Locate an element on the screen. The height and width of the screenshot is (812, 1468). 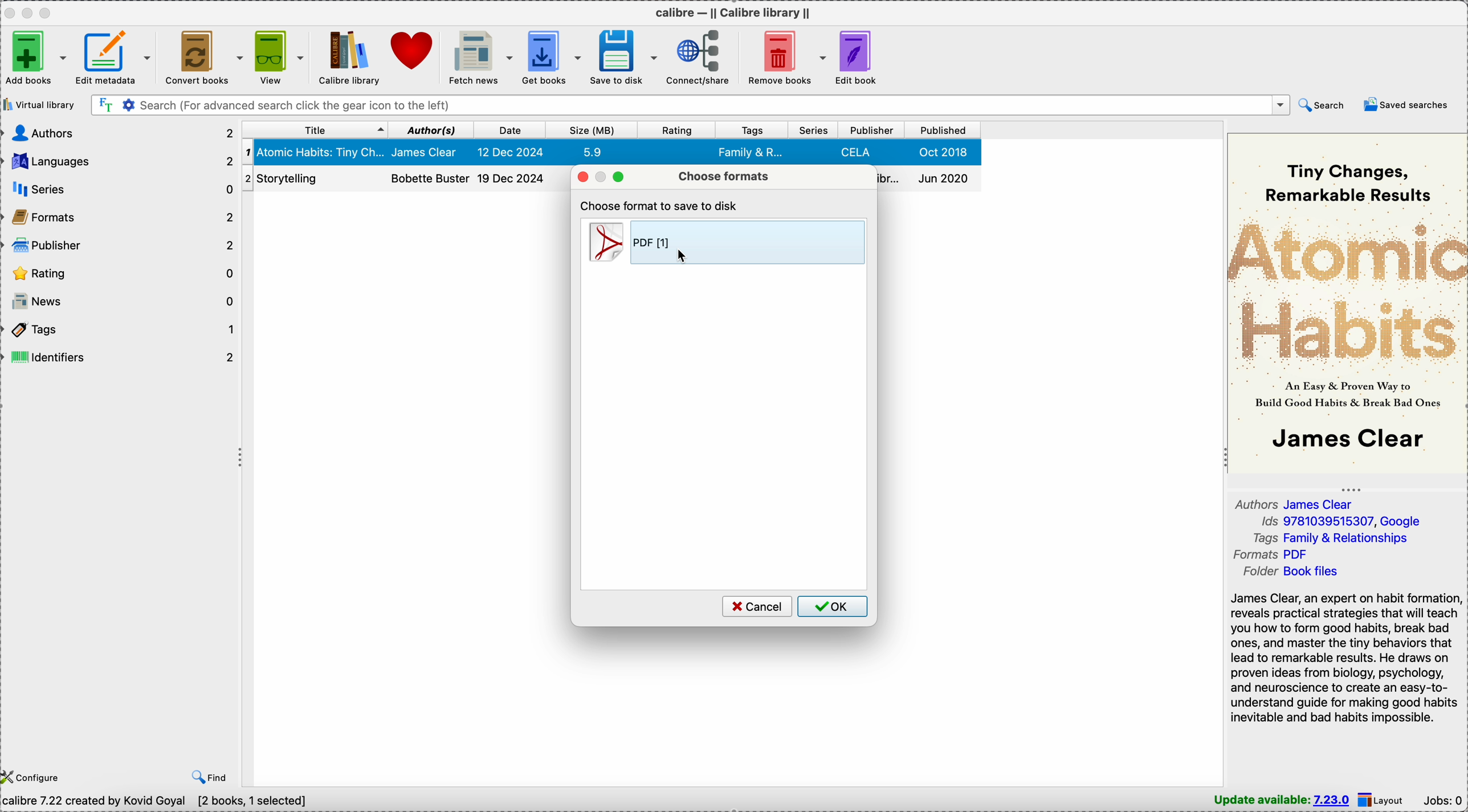
close popup is located at coordinates (582, 177).